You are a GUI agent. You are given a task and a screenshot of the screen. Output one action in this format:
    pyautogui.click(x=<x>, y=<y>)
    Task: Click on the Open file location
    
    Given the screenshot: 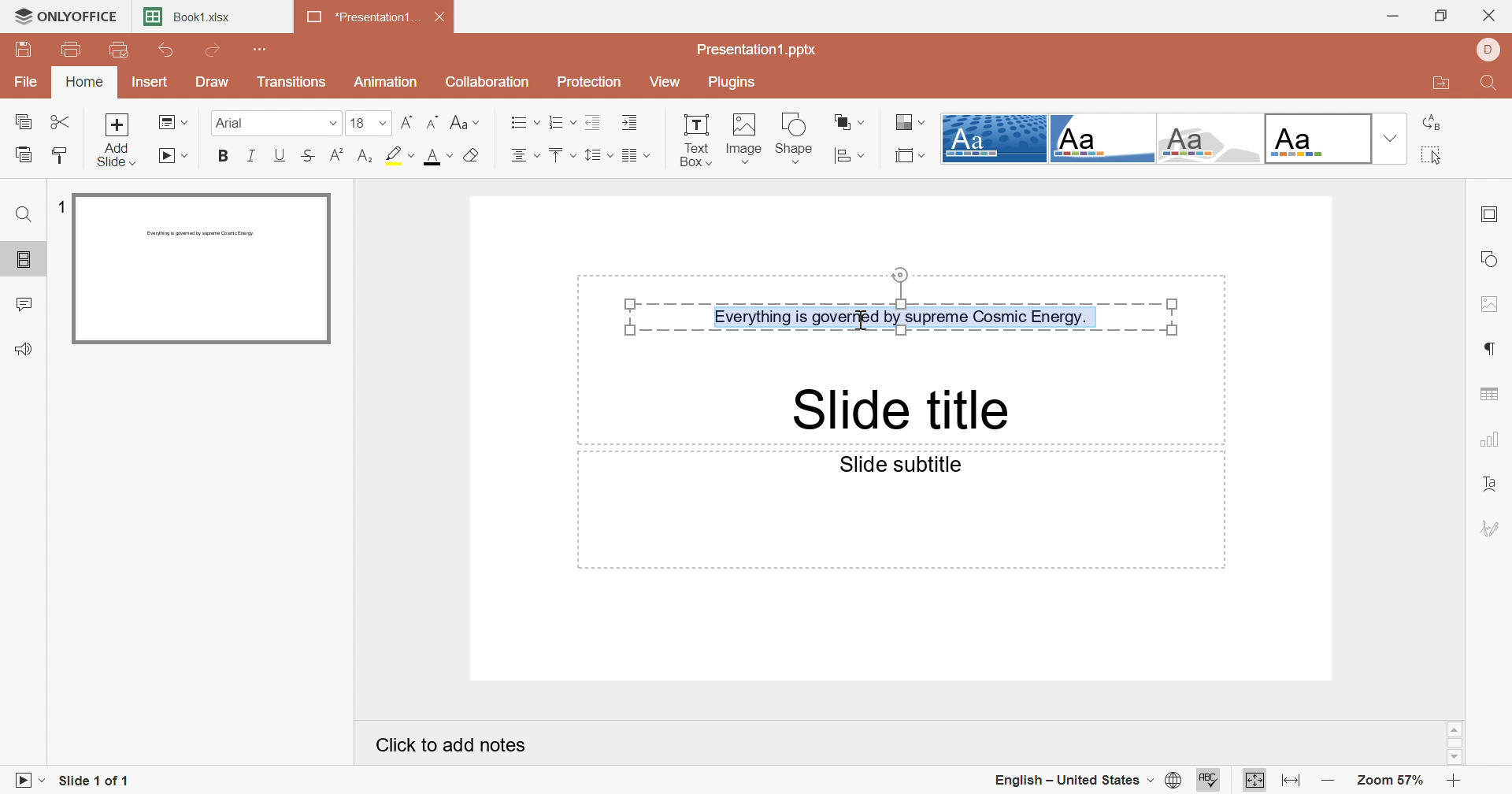 What is the action you would take?
    pyautogui.click(x=1441, y=83)
    